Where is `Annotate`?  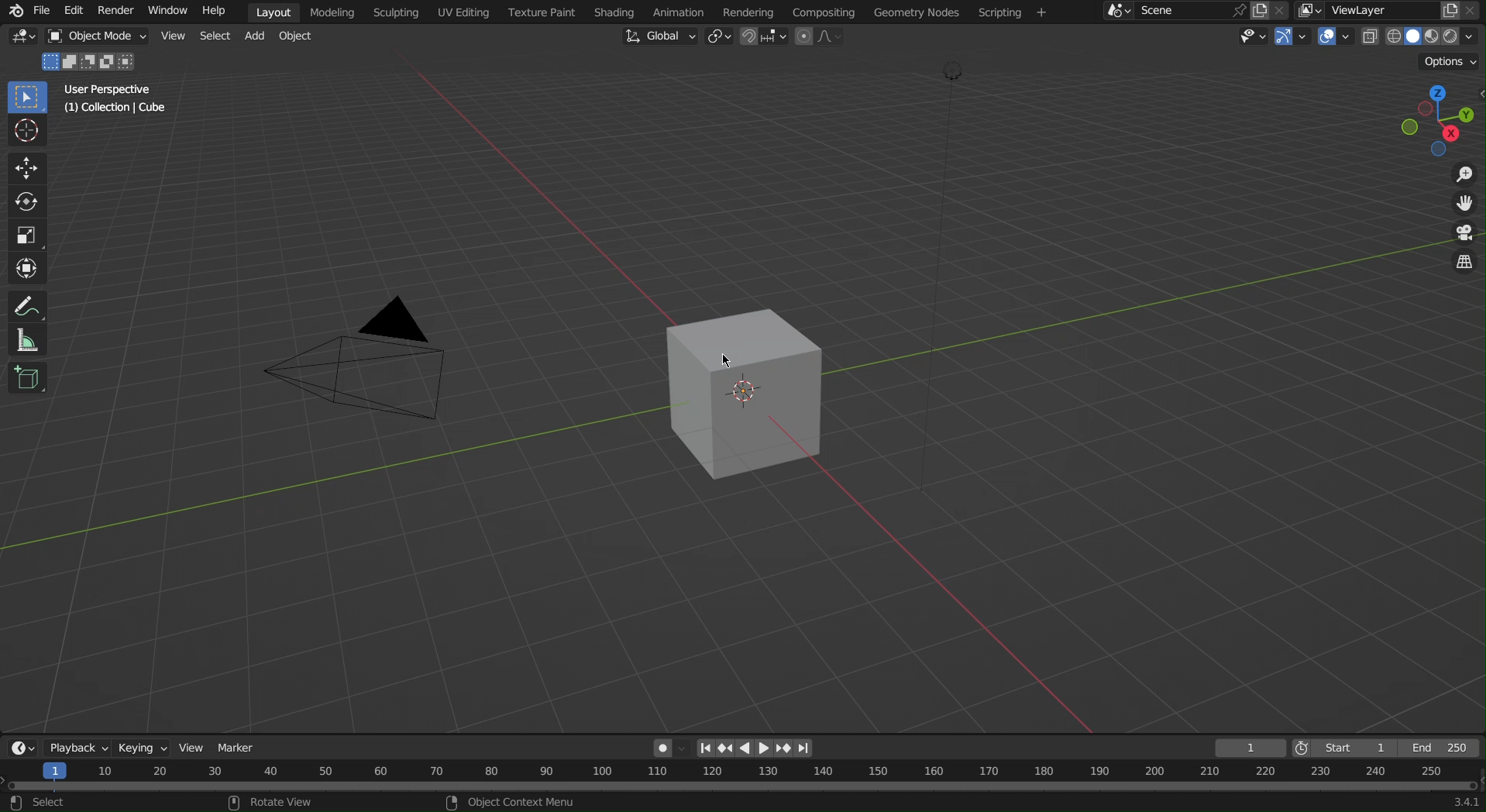
Annotate is located at coordinates (24, 304).